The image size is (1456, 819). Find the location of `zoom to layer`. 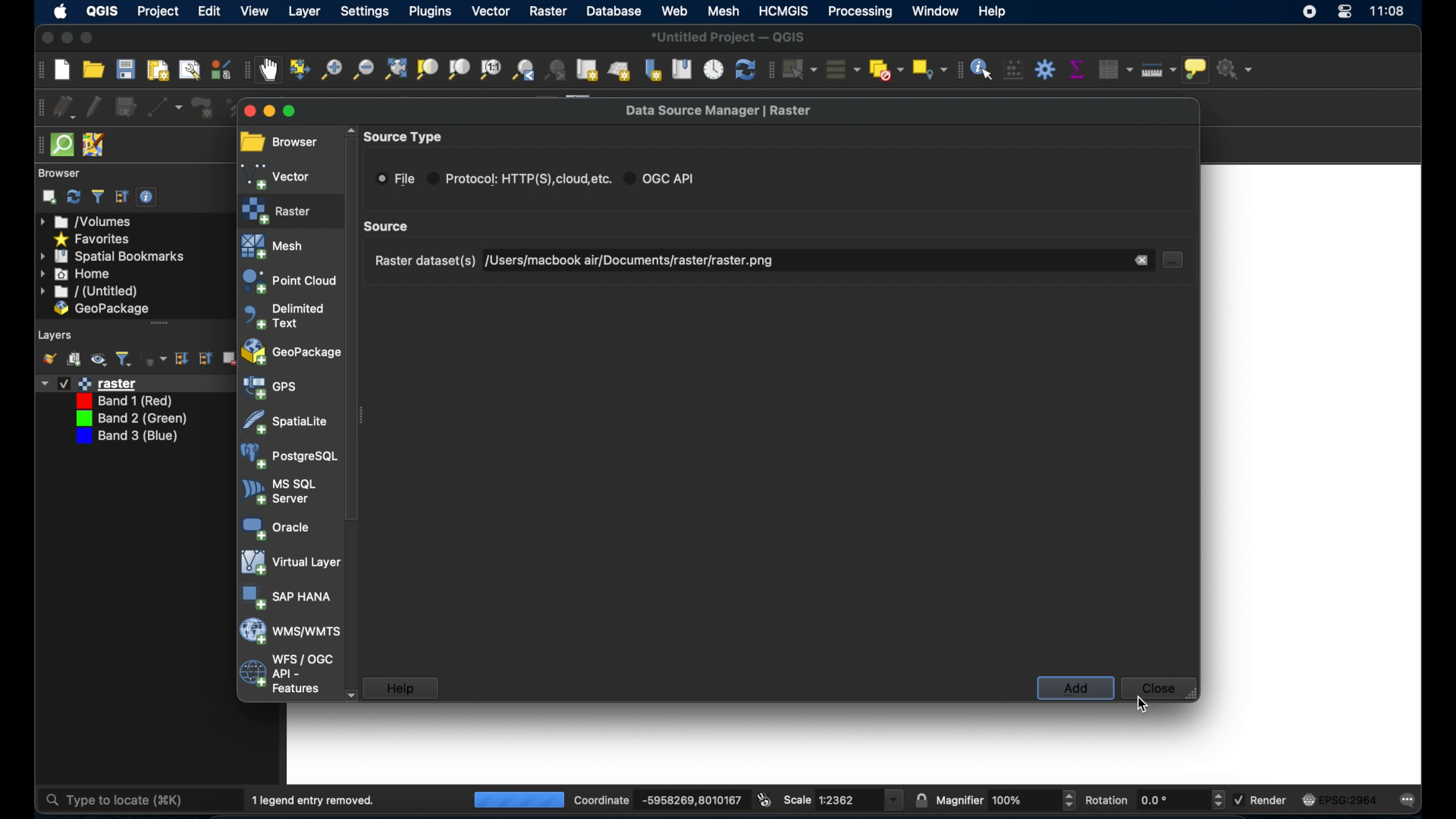

zoom to layer is located at coordinates (458, 69).